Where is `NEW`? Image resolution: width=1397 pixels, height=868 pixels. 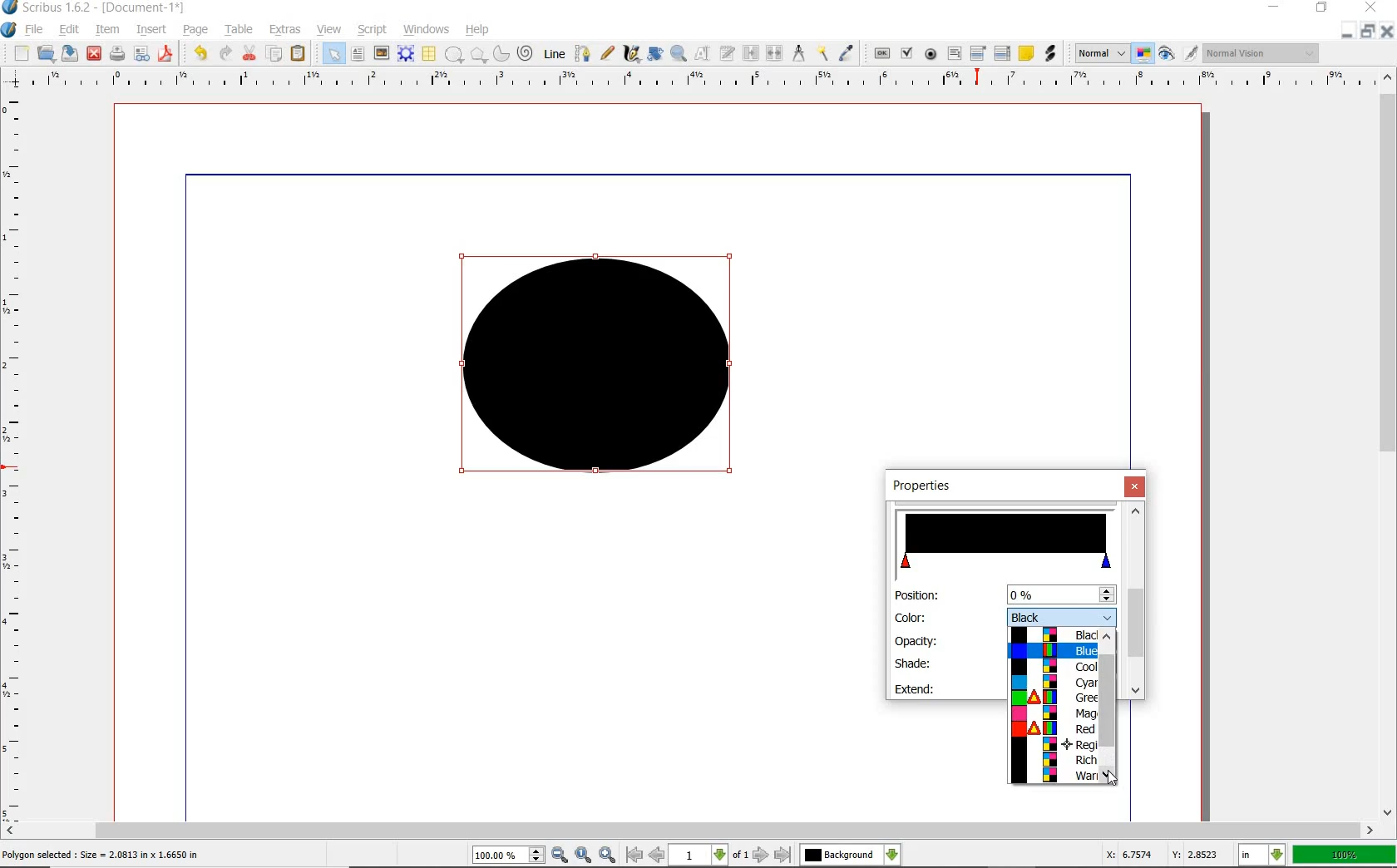
NEW is located at coordinates (21, 53).